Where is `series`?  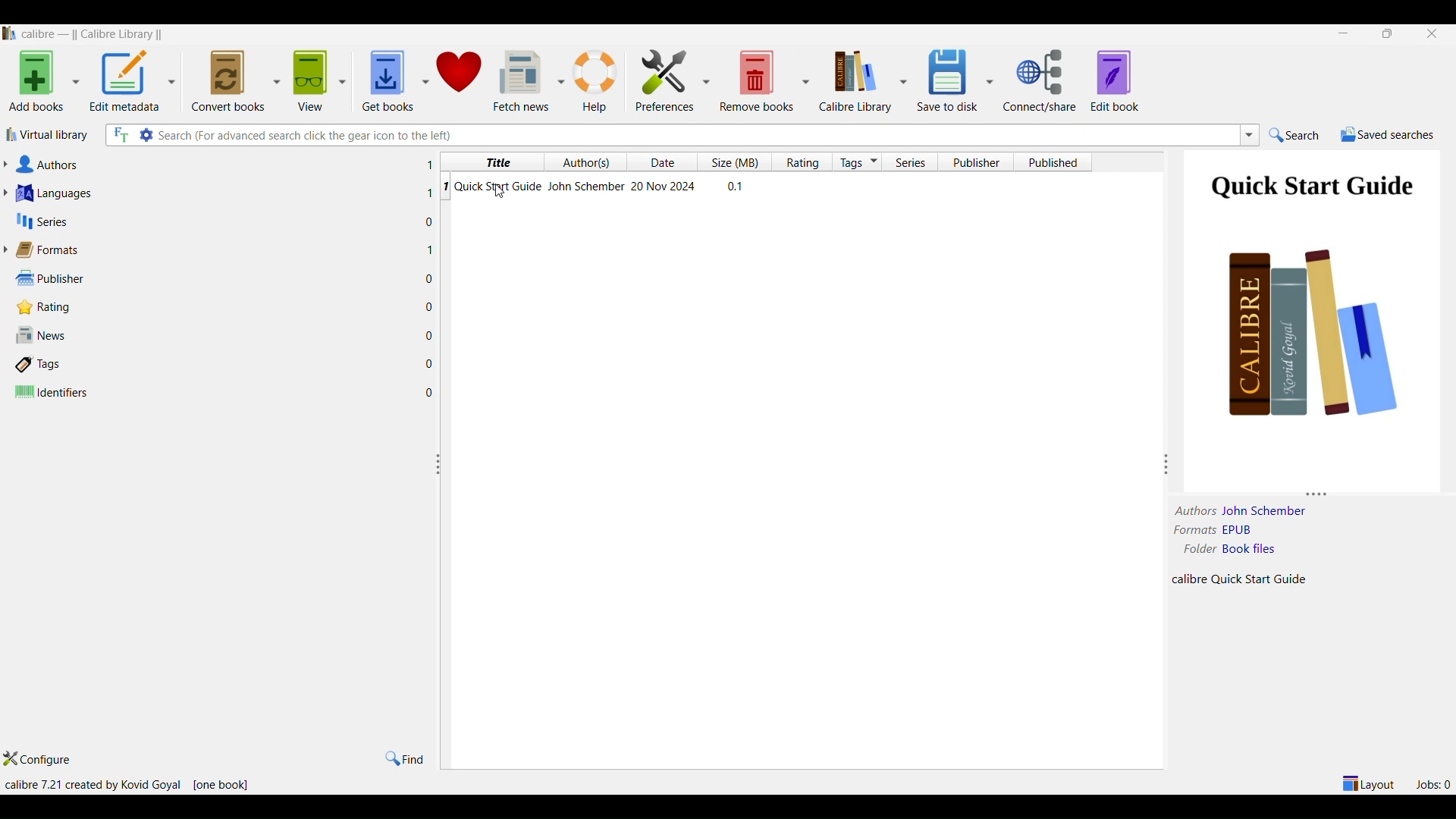 series is located at coordinates (217, 220).